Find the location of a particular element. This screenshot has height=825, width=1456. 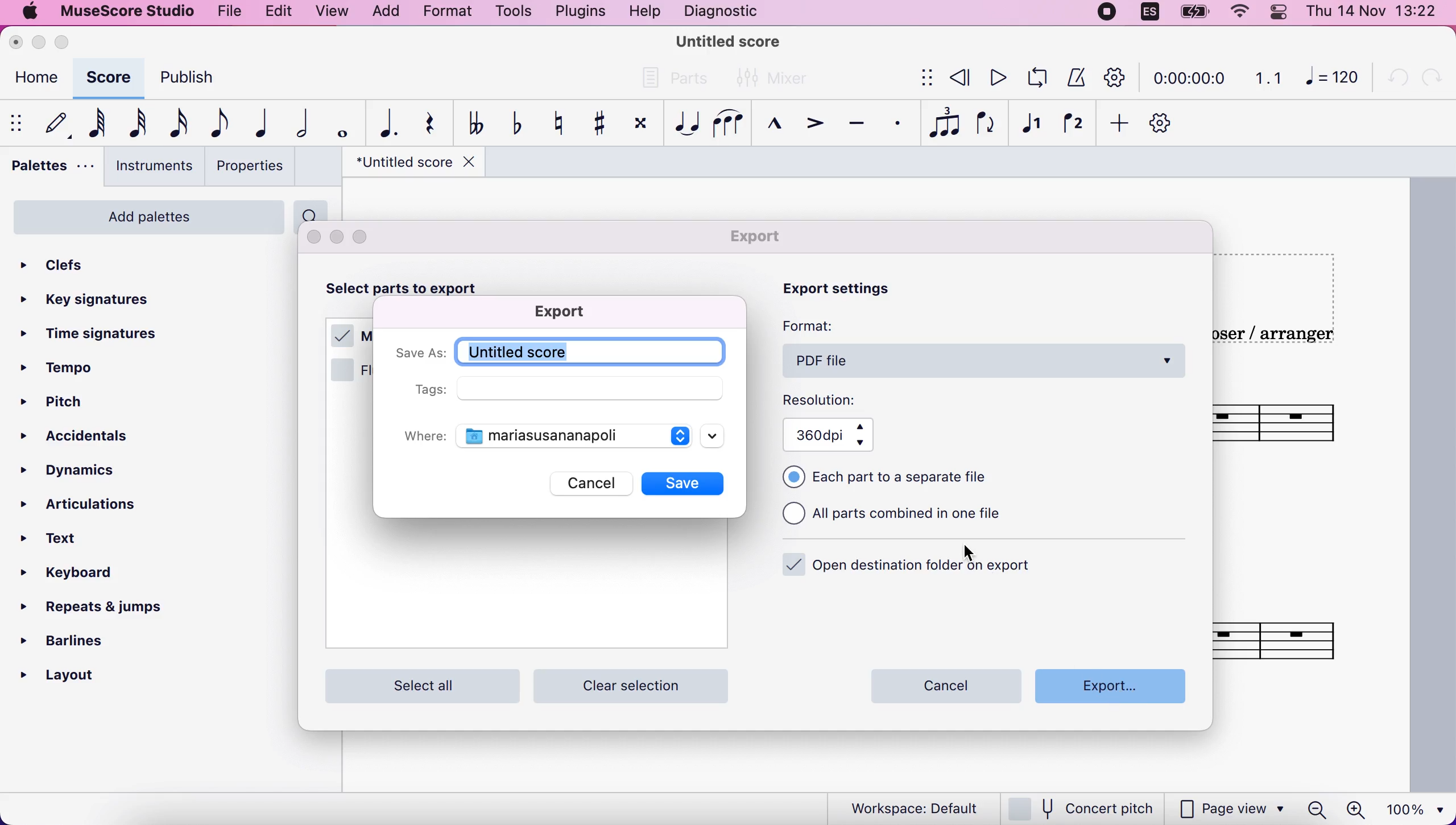

dynamics is located at coordinates (88, 471).